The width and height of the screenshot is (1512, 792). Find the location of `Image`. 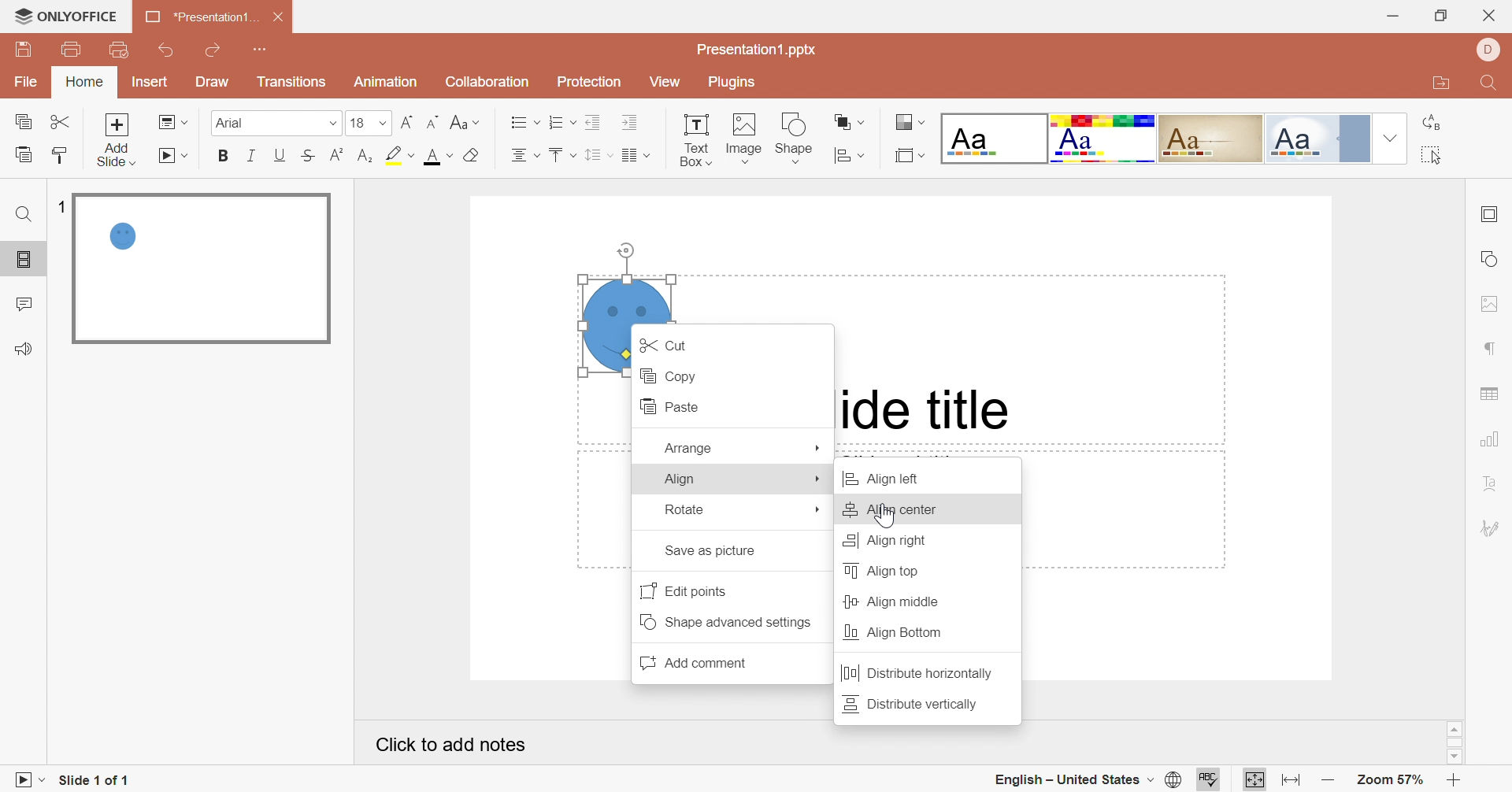

Image is located at coordinates (744, 138).